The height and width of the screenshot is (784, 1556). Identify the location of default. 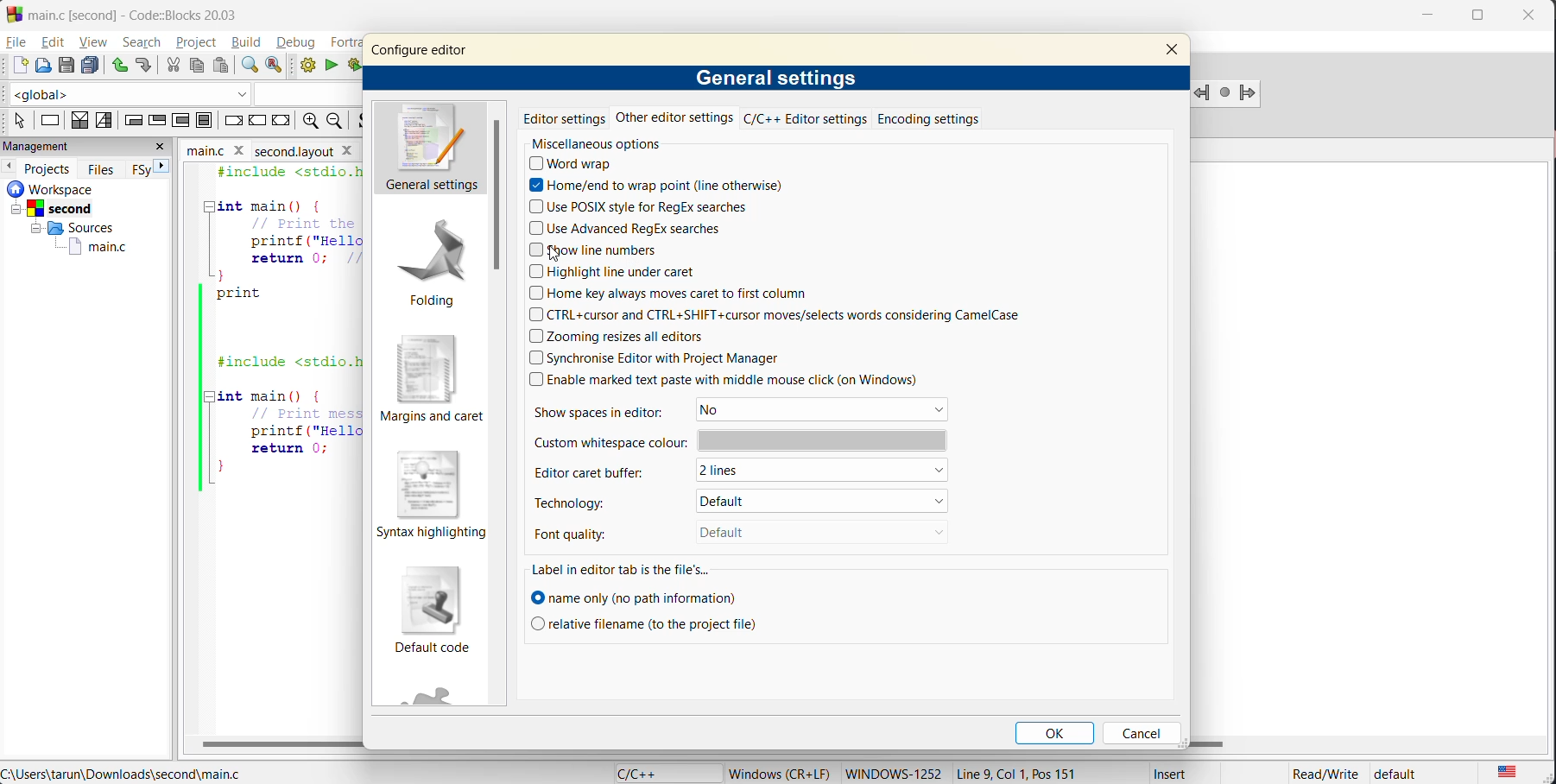
(819, 503).